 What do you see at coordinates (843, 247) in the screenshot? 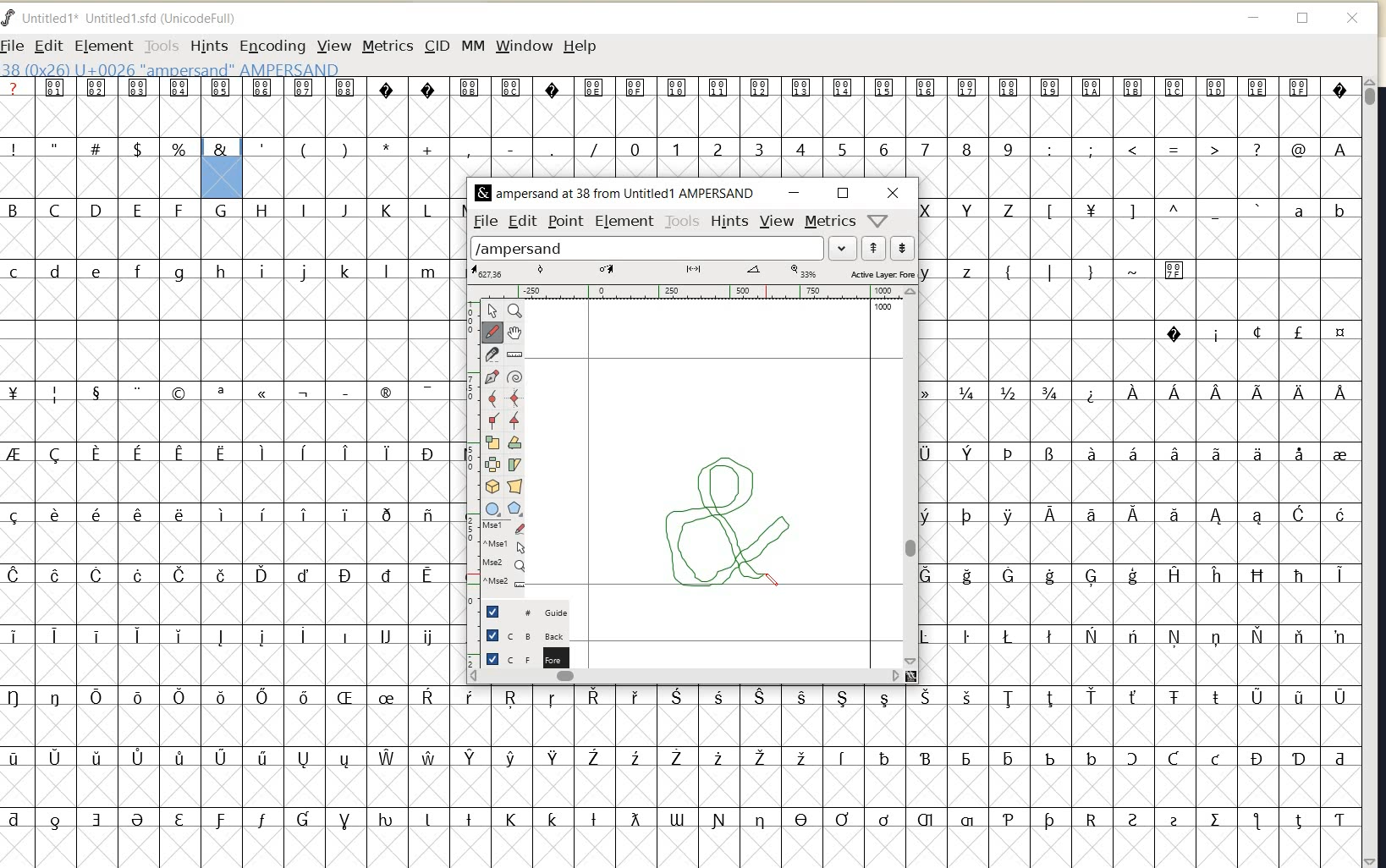
I see `expand` at bounding box center [843, 247].